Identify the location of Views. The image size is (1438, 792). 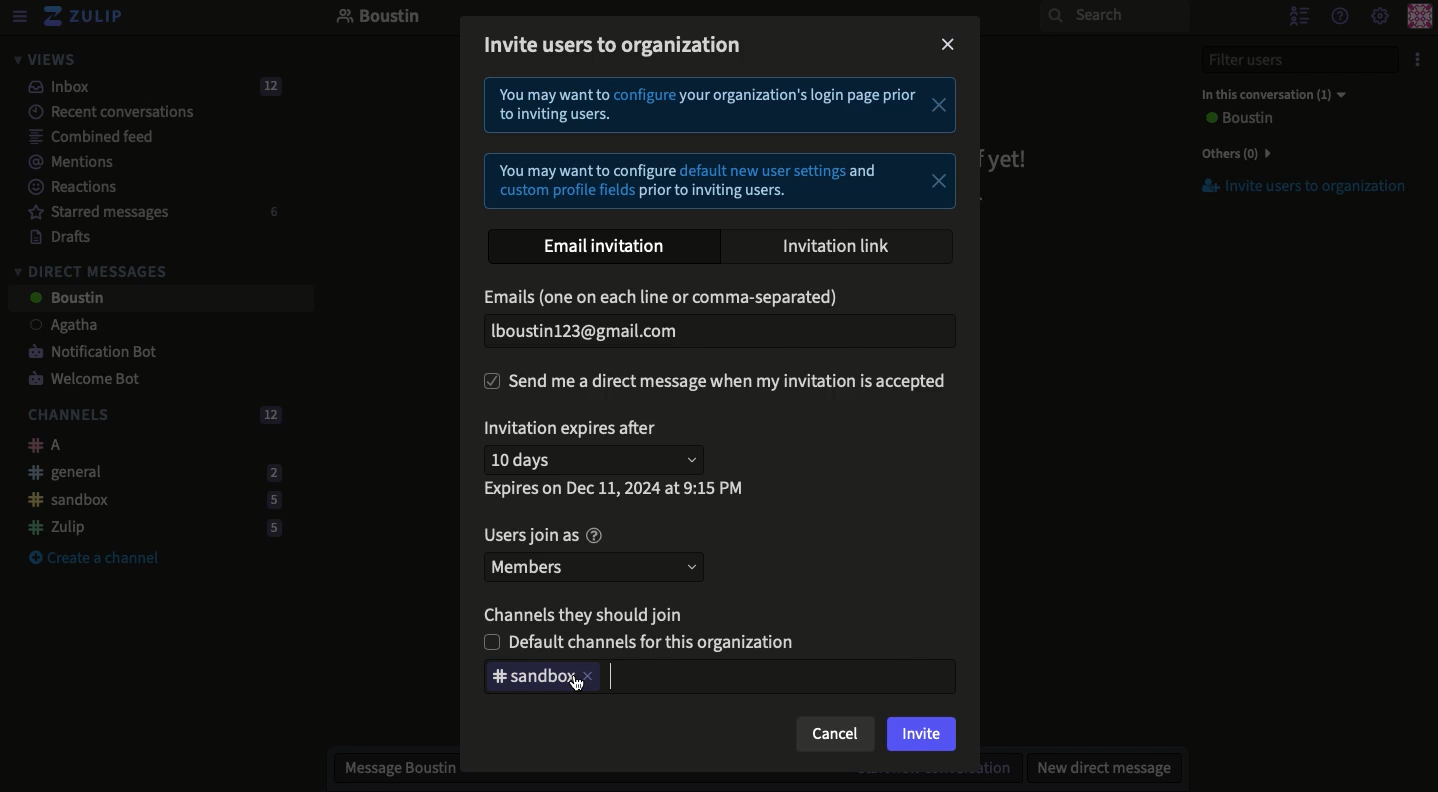
(44, 59).